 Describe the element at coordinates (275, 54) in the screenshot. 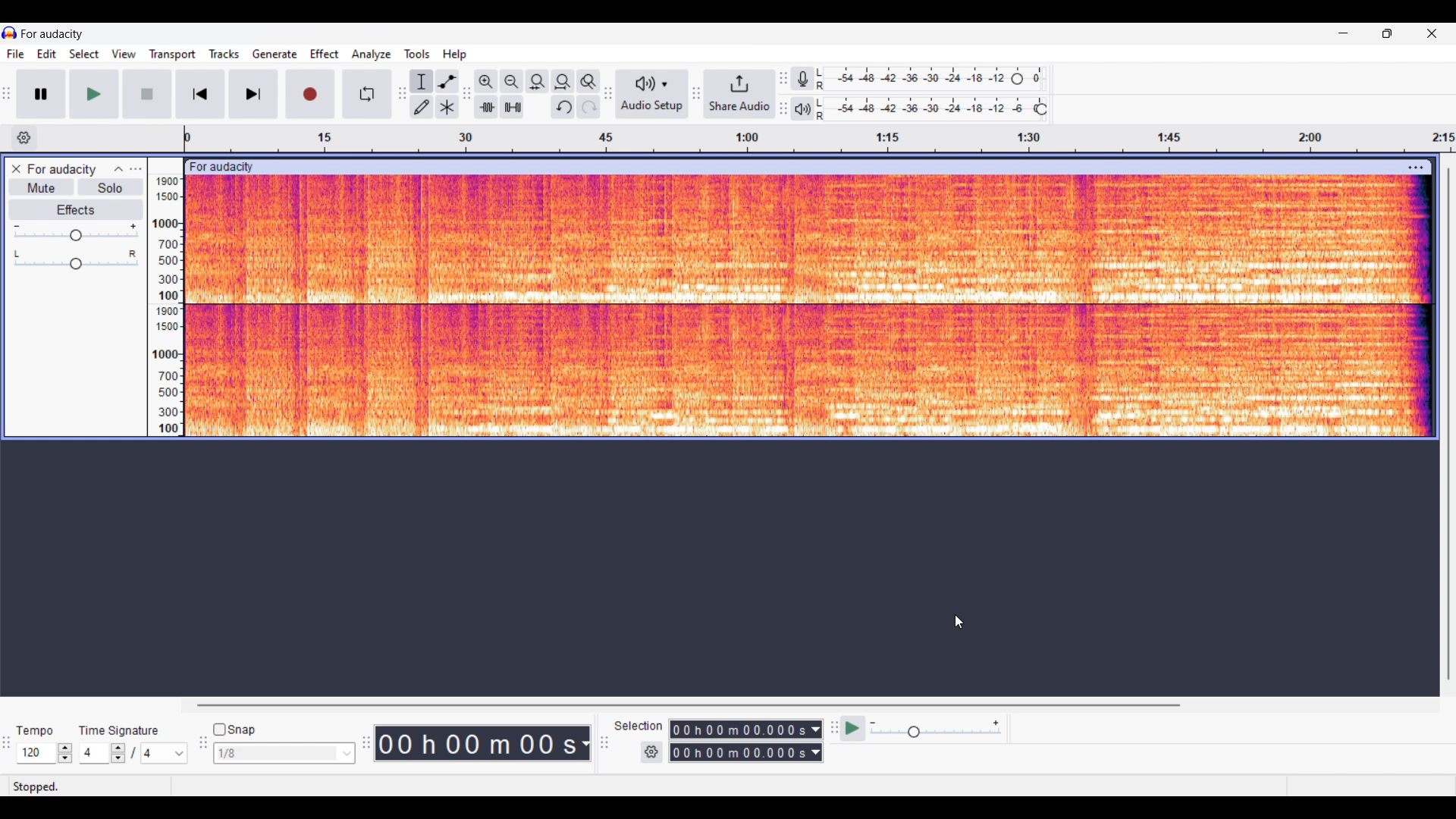

I see `Generate menu` at that location.